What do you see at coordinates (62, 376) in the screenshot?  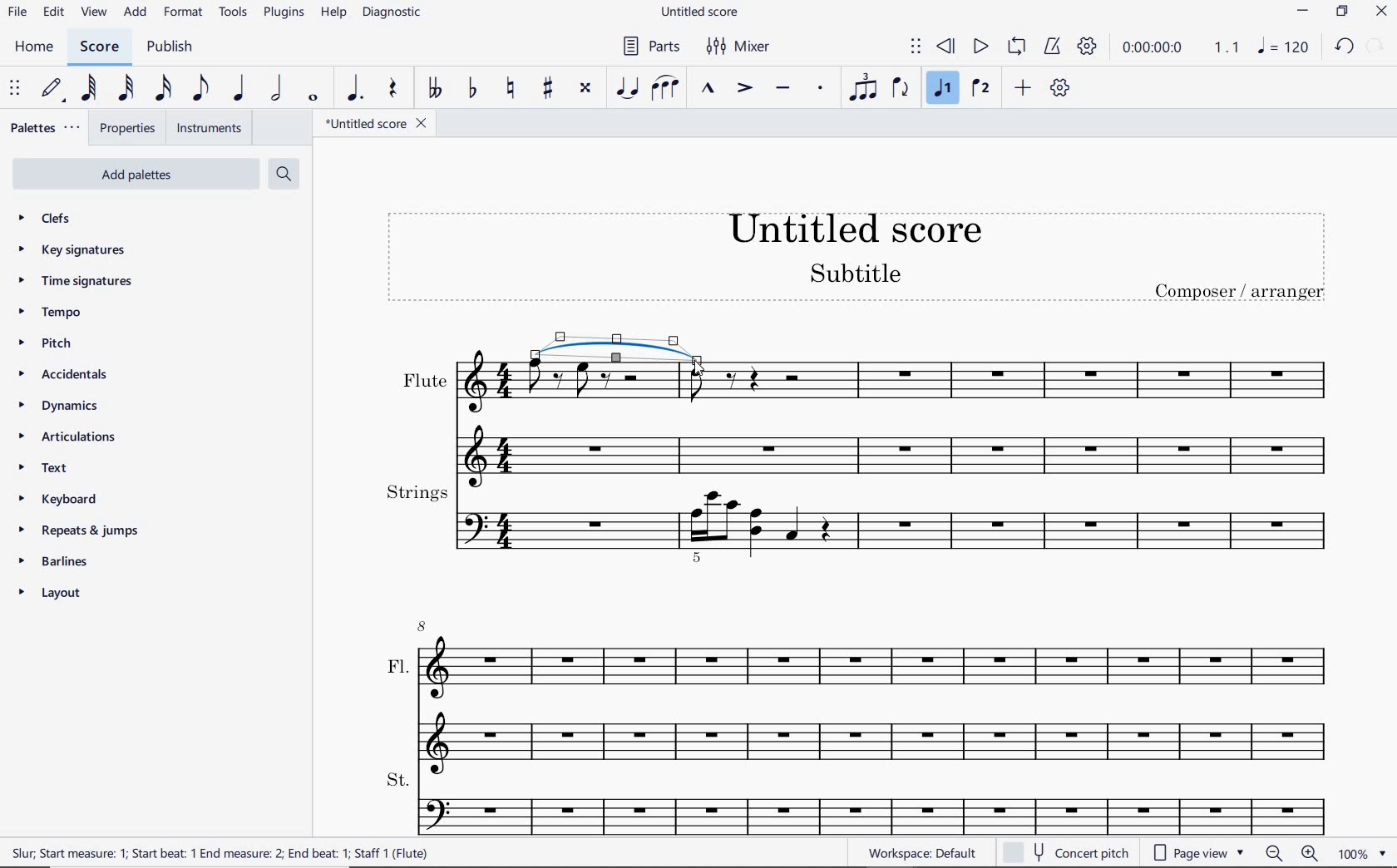 I see `accidentals` at bounding box center [62, 376].